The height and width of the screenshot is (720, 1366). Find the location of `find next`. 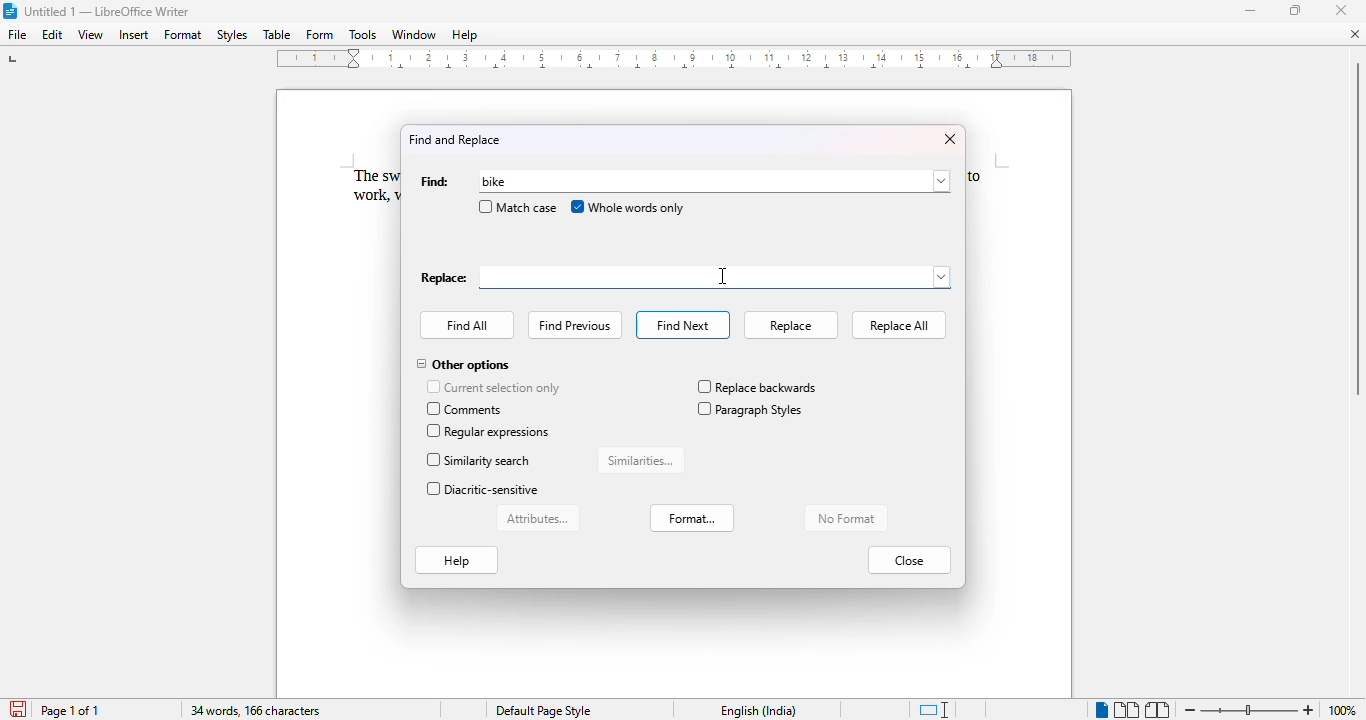

find next is located at coordinates (682, 325).